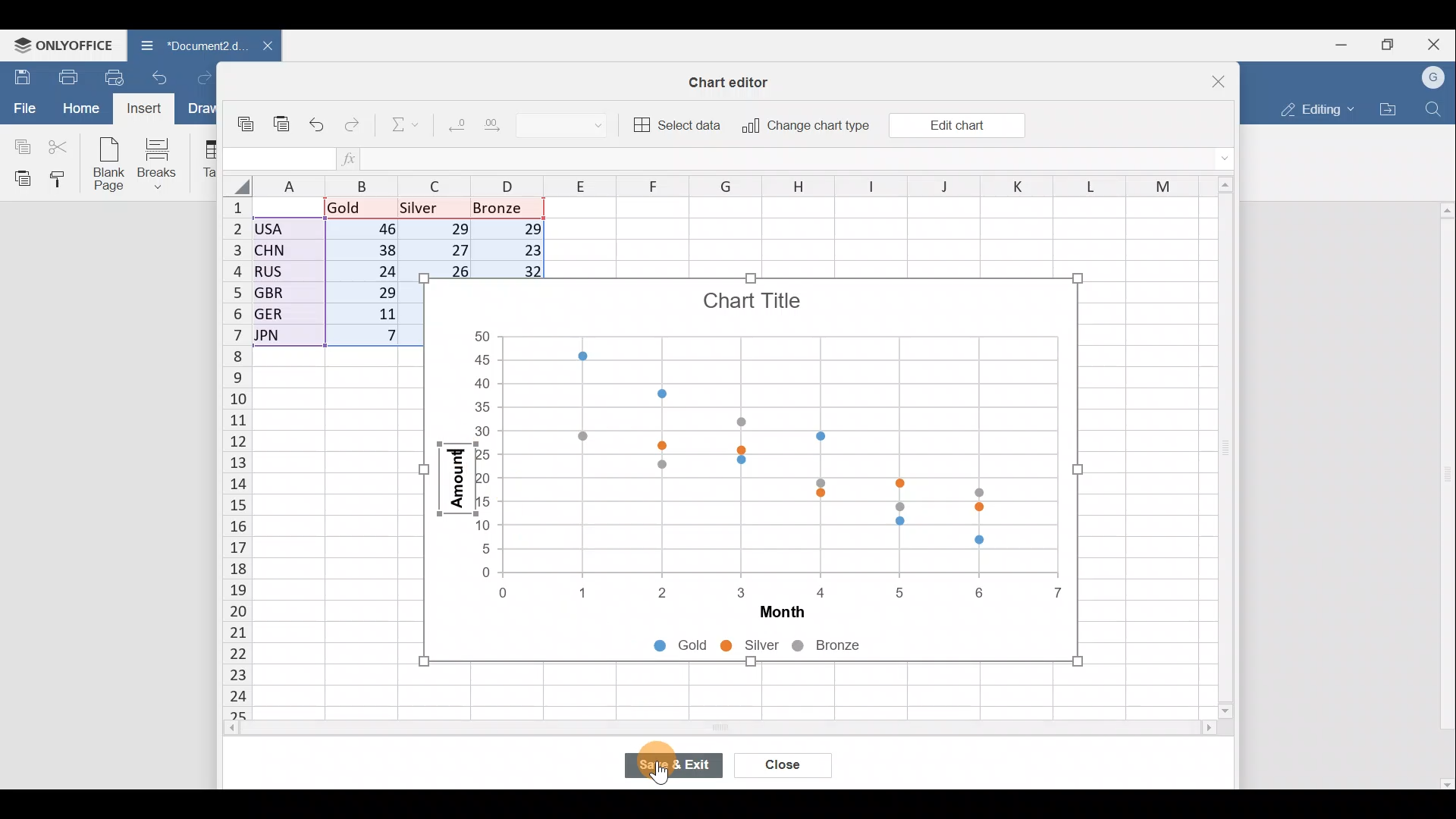 The height and width of the screenshot is (819, 1456). What do you see at coordinates (199, 110) in the screenshot?
I see `Draw` at bounding box center [199, 110].